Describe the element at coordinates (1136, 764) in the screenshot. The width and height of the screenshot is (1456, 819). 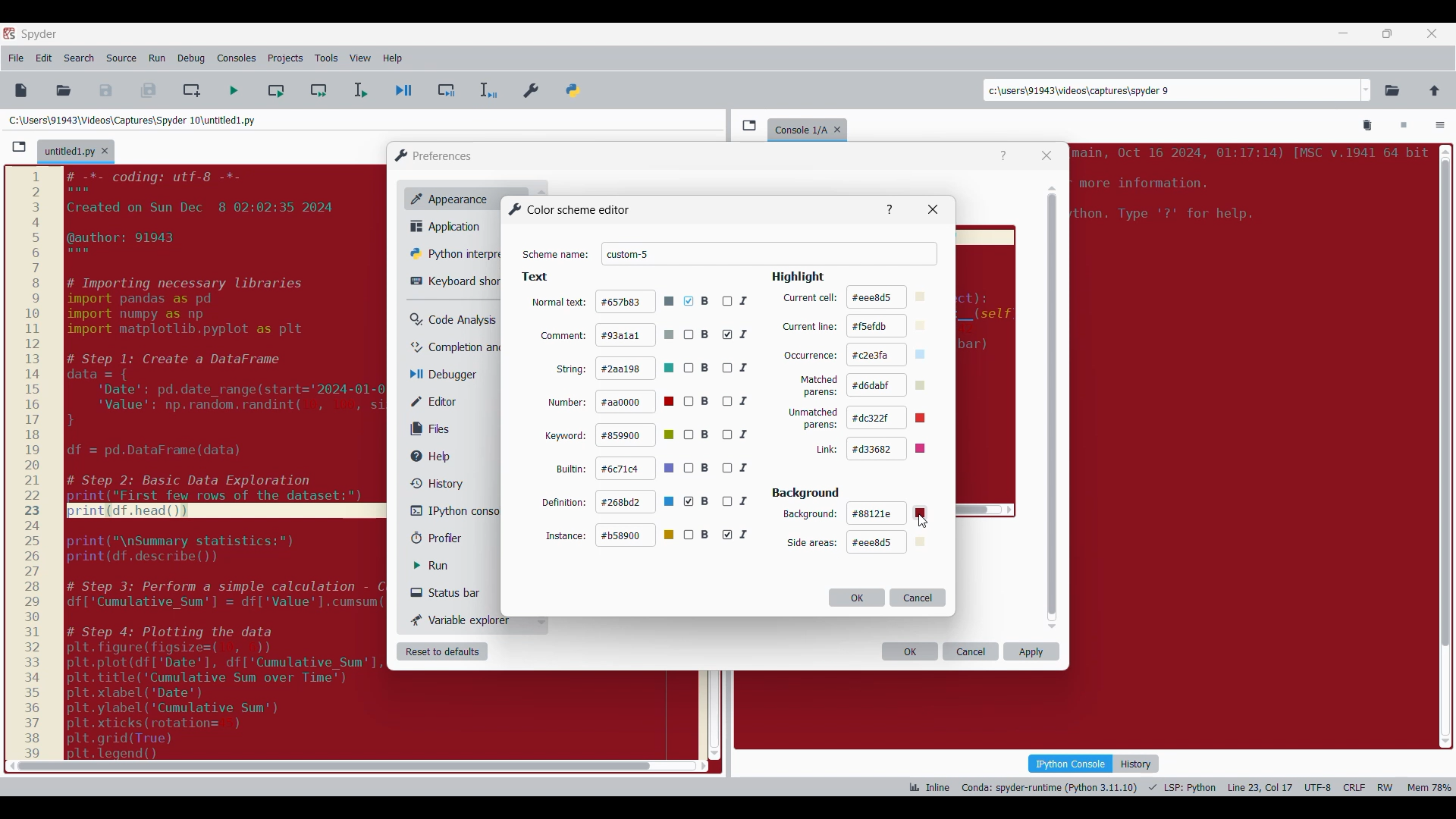
I see `History` at that location.